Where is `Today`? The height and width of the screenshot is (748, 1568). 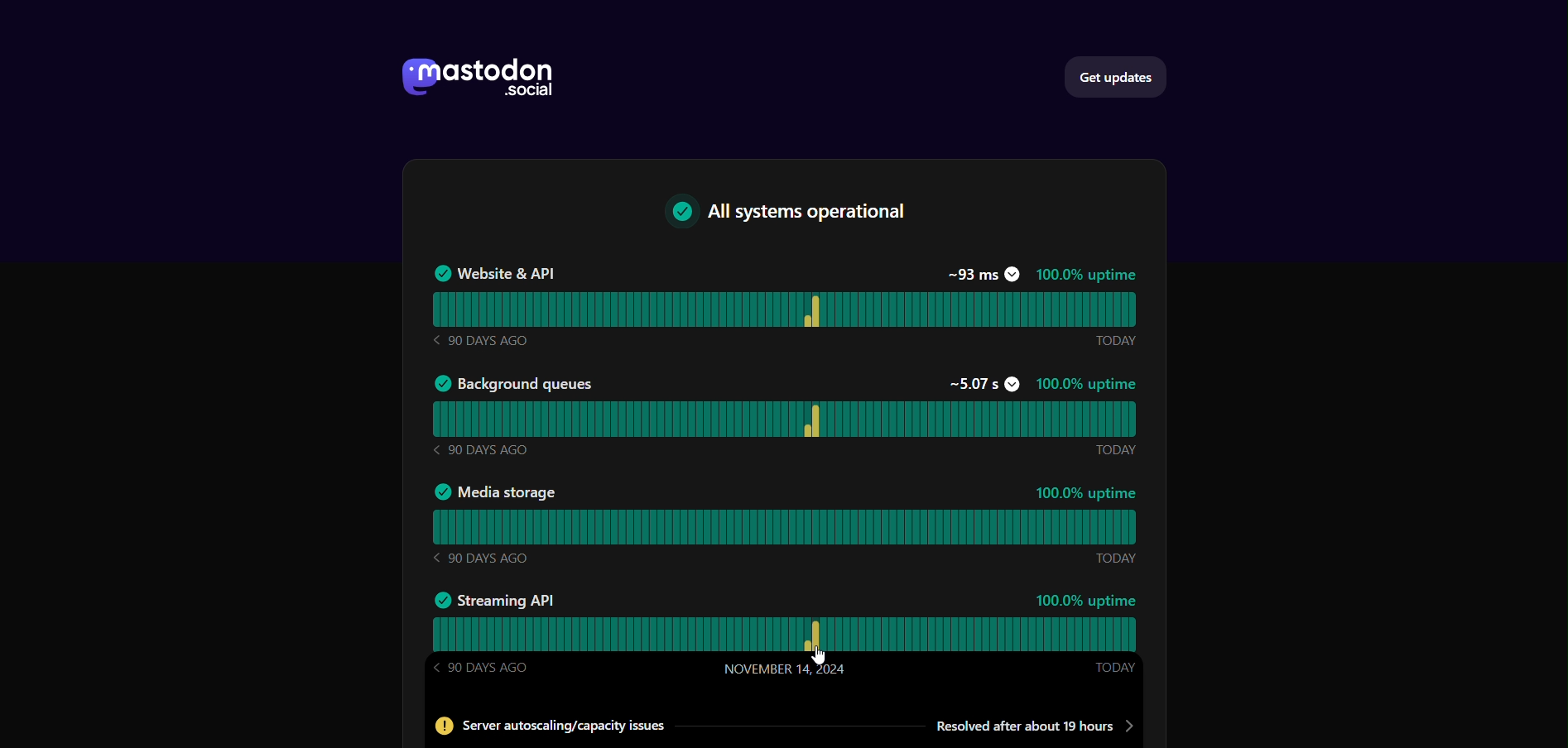 Today is located at coordinates (1113, 450).